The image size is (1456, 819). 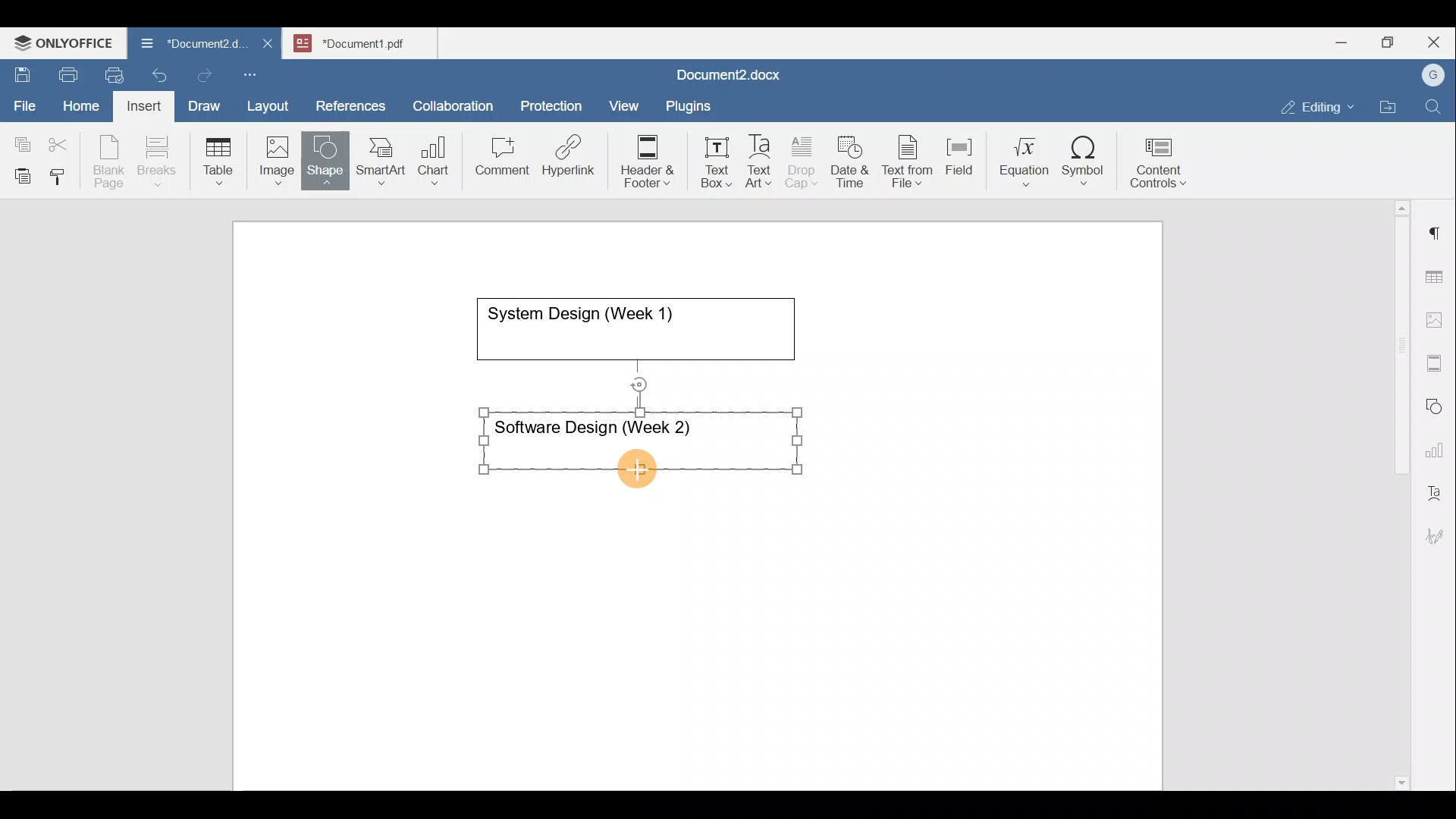 I want to click on Quick print, so click(x=110, y=73).